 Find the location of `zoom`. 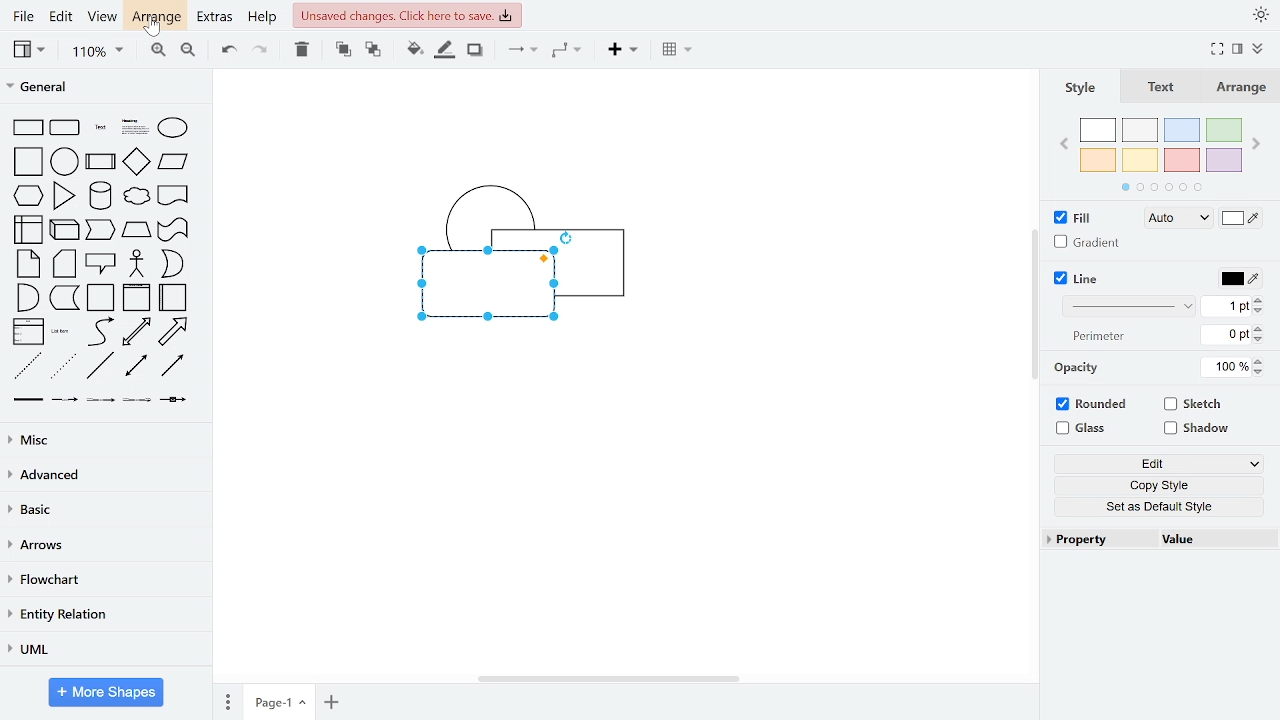

zoom is located at coordinates (99, 51).